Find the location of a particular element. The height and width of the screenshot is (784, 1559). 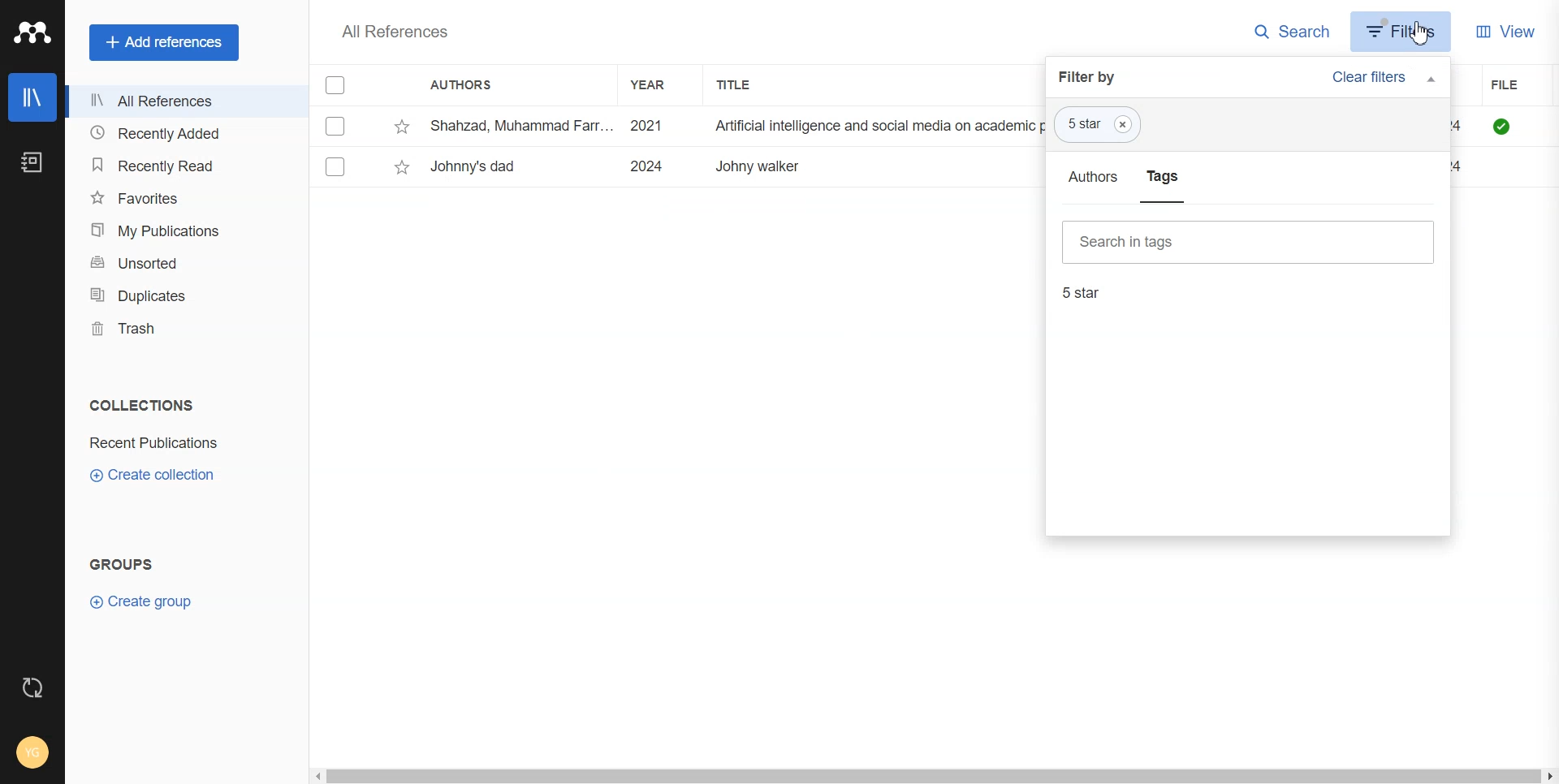

scroll right is located at coordinates (1549, 778).